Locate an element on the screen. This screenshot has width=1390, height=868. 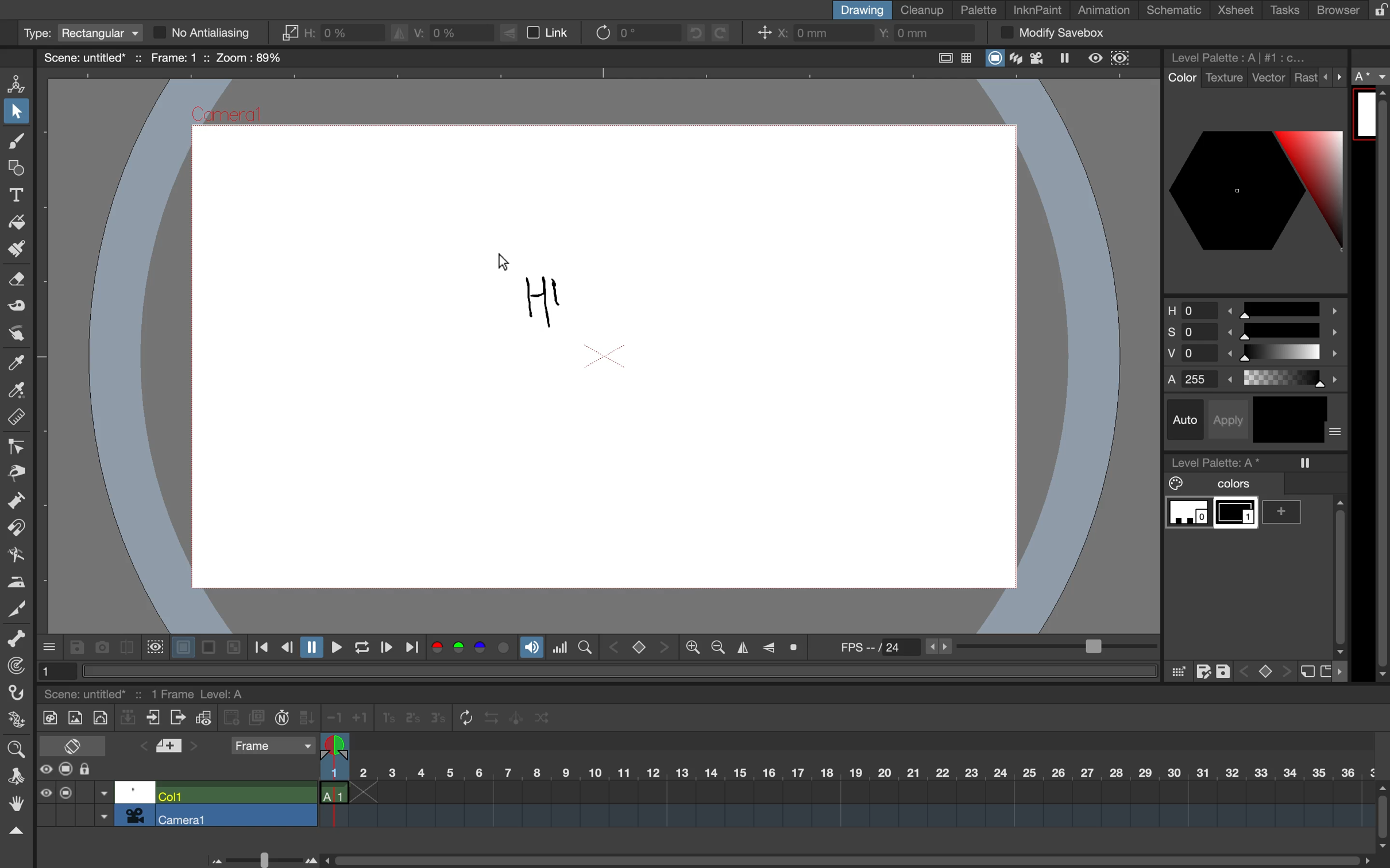
cutter tool is located at coordinates (17, 607).